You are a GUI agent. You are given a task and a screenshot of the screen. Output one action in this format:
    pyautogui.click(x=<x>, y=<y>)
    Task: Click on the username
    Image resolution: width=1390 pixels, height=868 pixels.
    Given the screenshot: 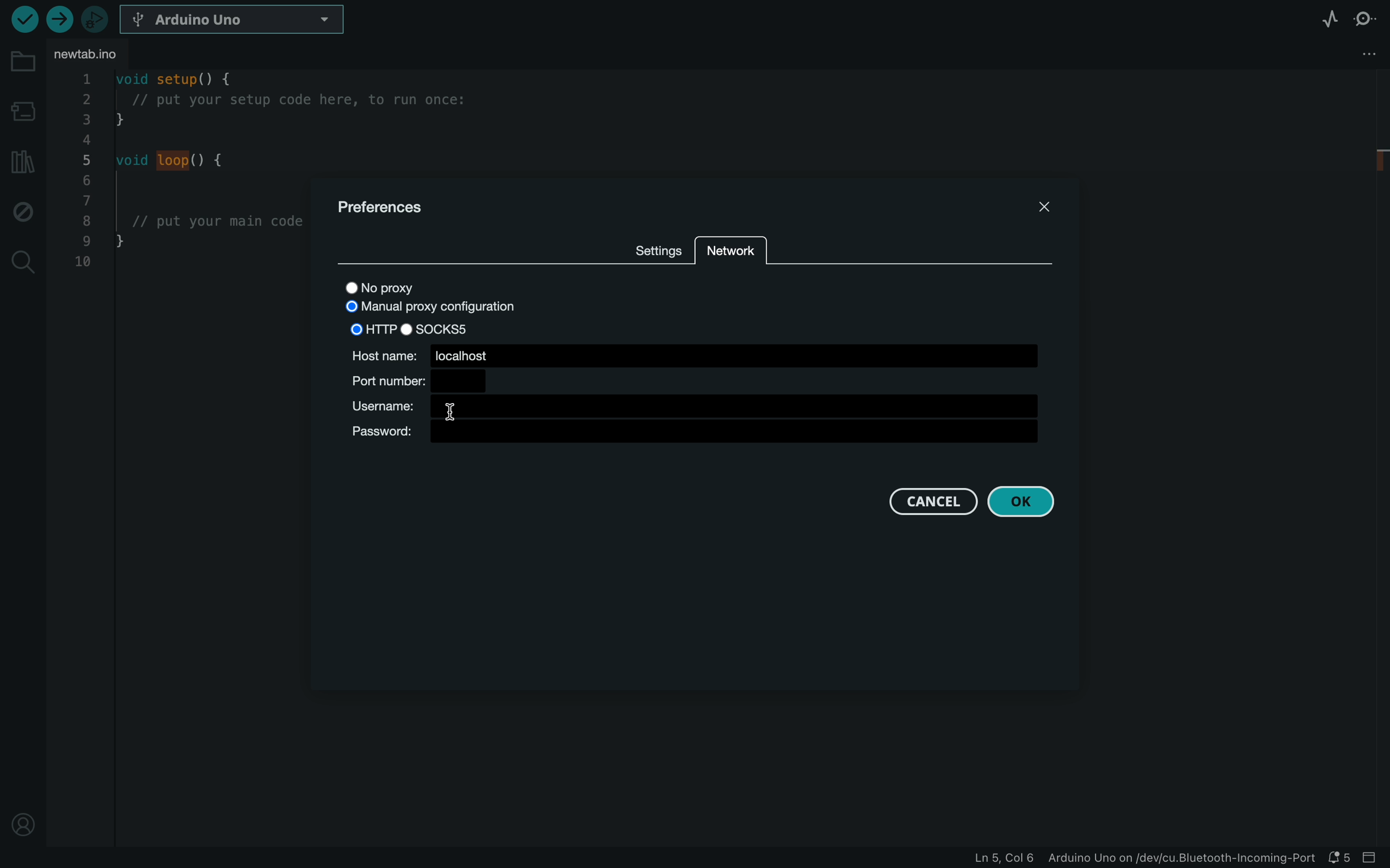 What is the action you would take?
    pyautogui.click(x=690, y=406)
    